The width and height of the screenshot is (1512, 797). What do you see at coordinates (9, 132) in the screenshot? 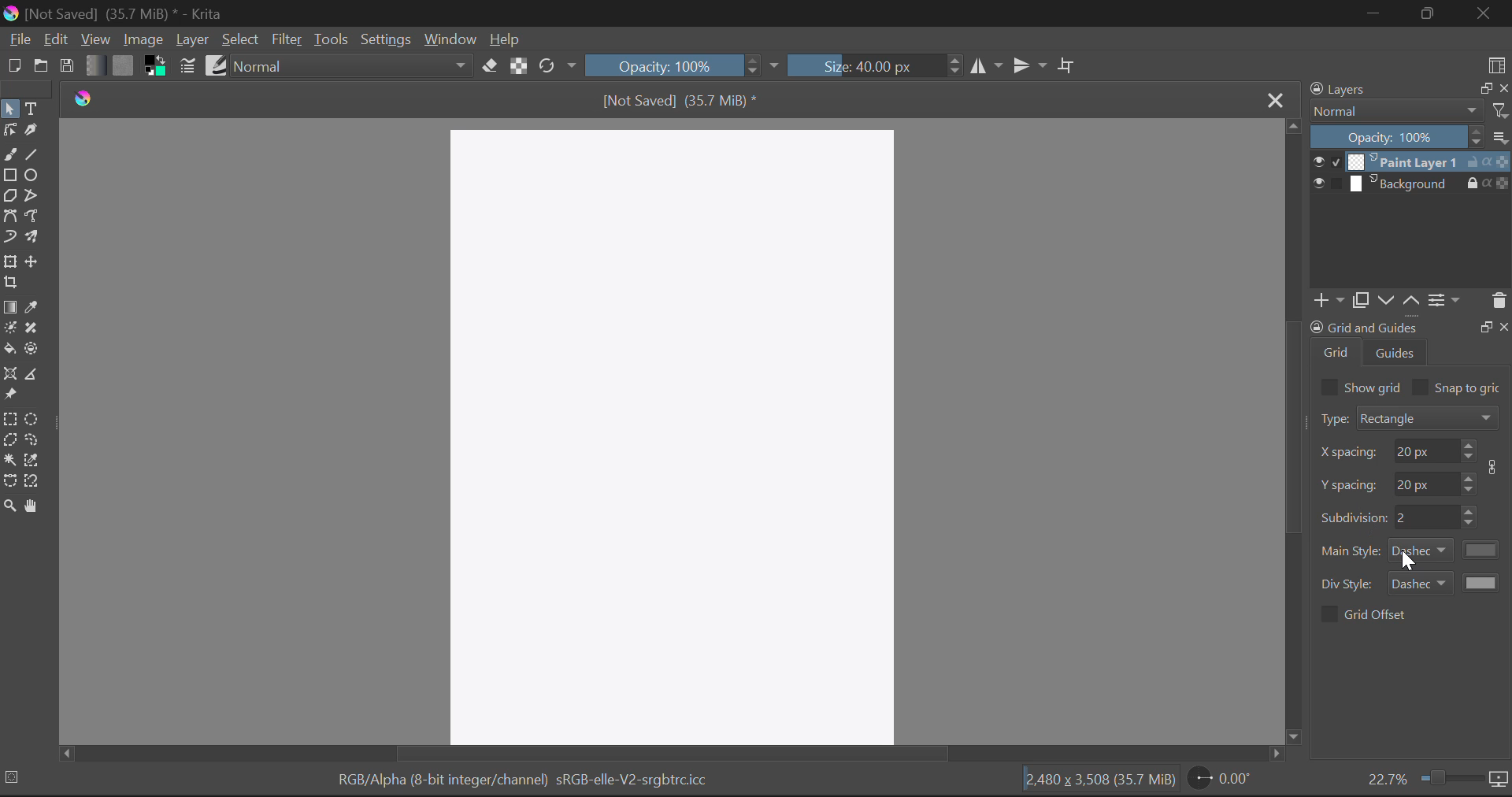
I see `Edit Shapes` at bounding box center [9, 132].